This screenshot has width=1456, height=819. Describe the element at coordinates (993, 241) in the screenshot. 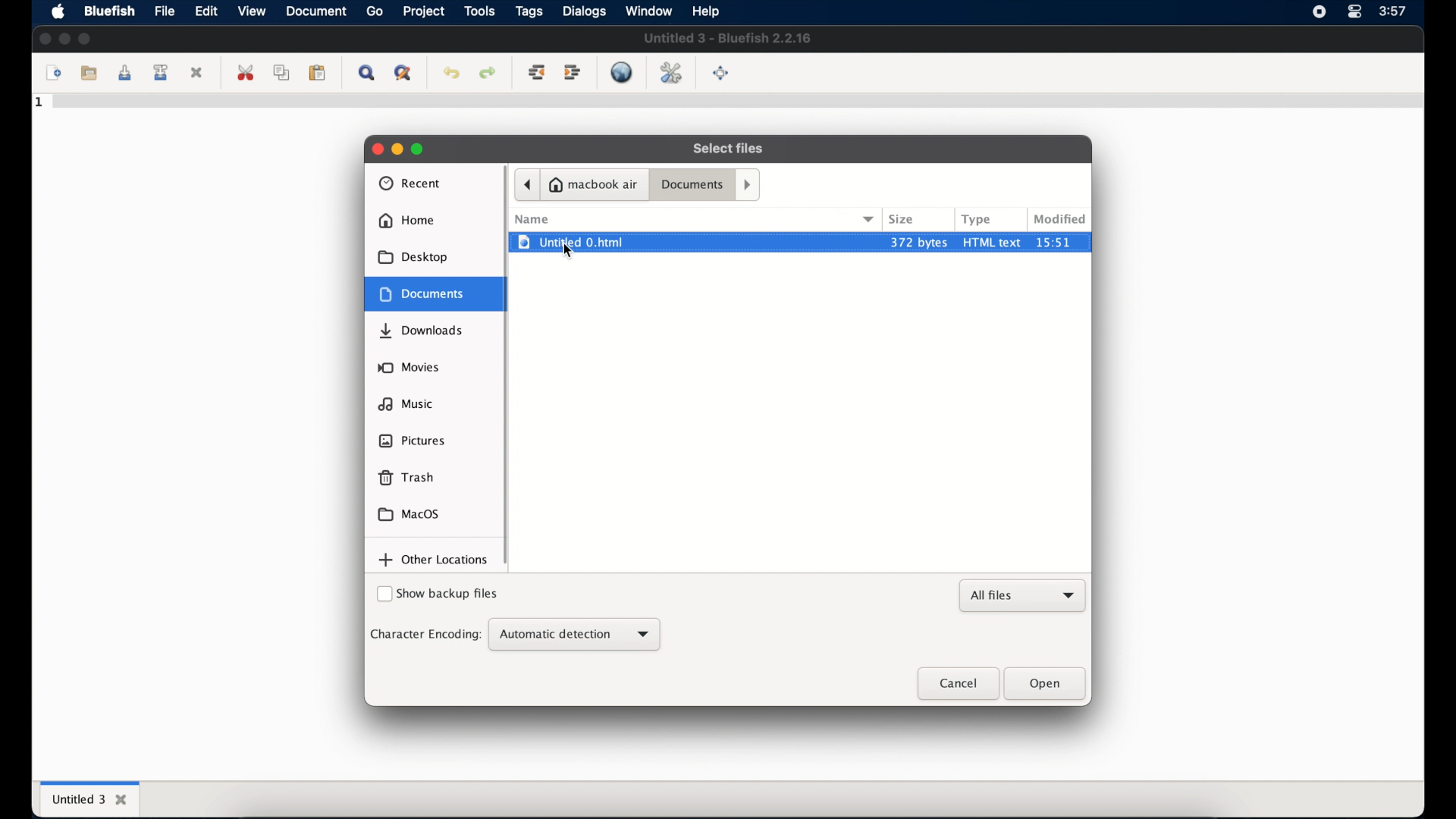

I see `html text` at that location.